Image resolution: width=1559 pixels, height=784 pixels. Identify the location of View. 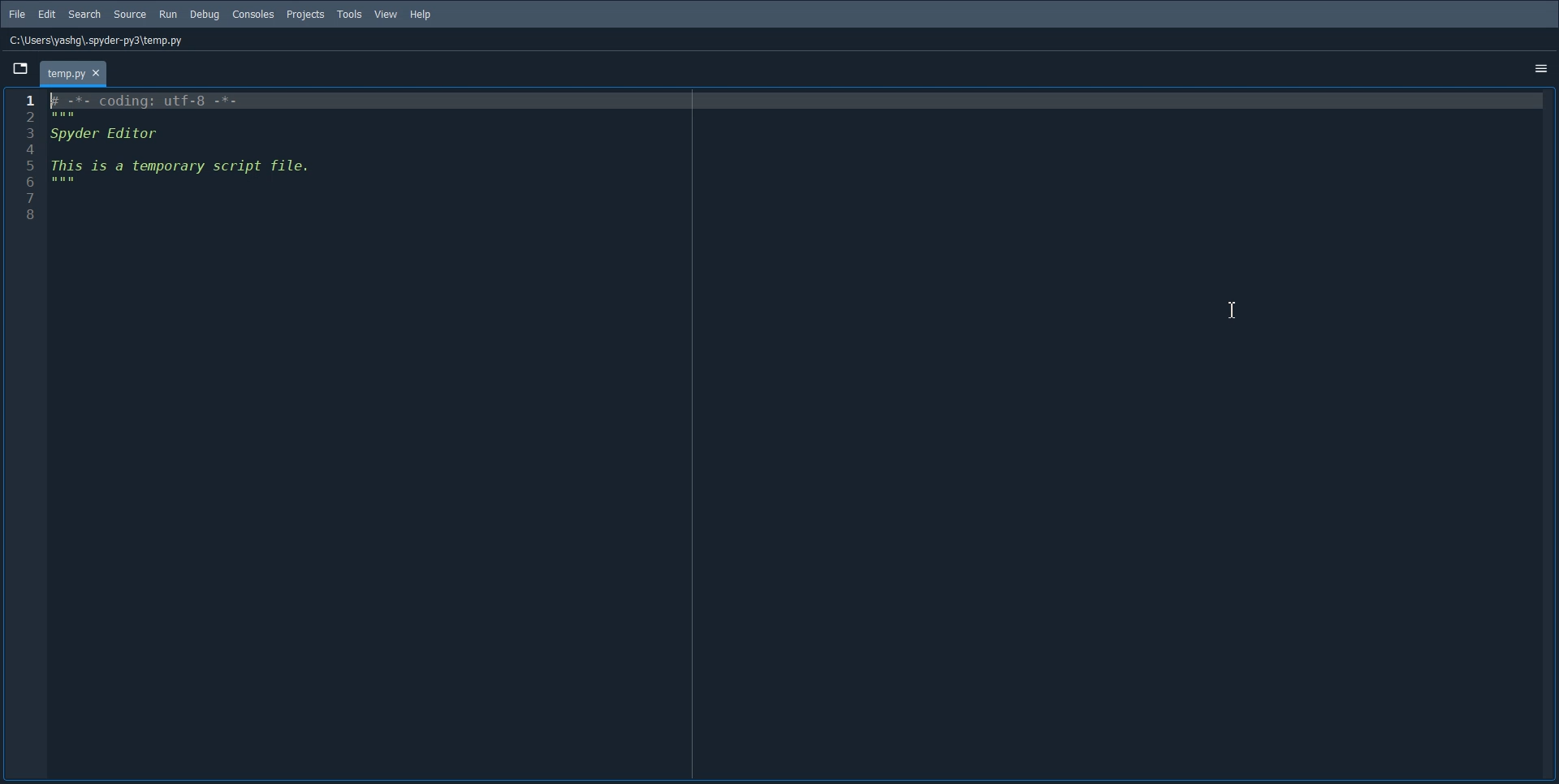
(387, 15).